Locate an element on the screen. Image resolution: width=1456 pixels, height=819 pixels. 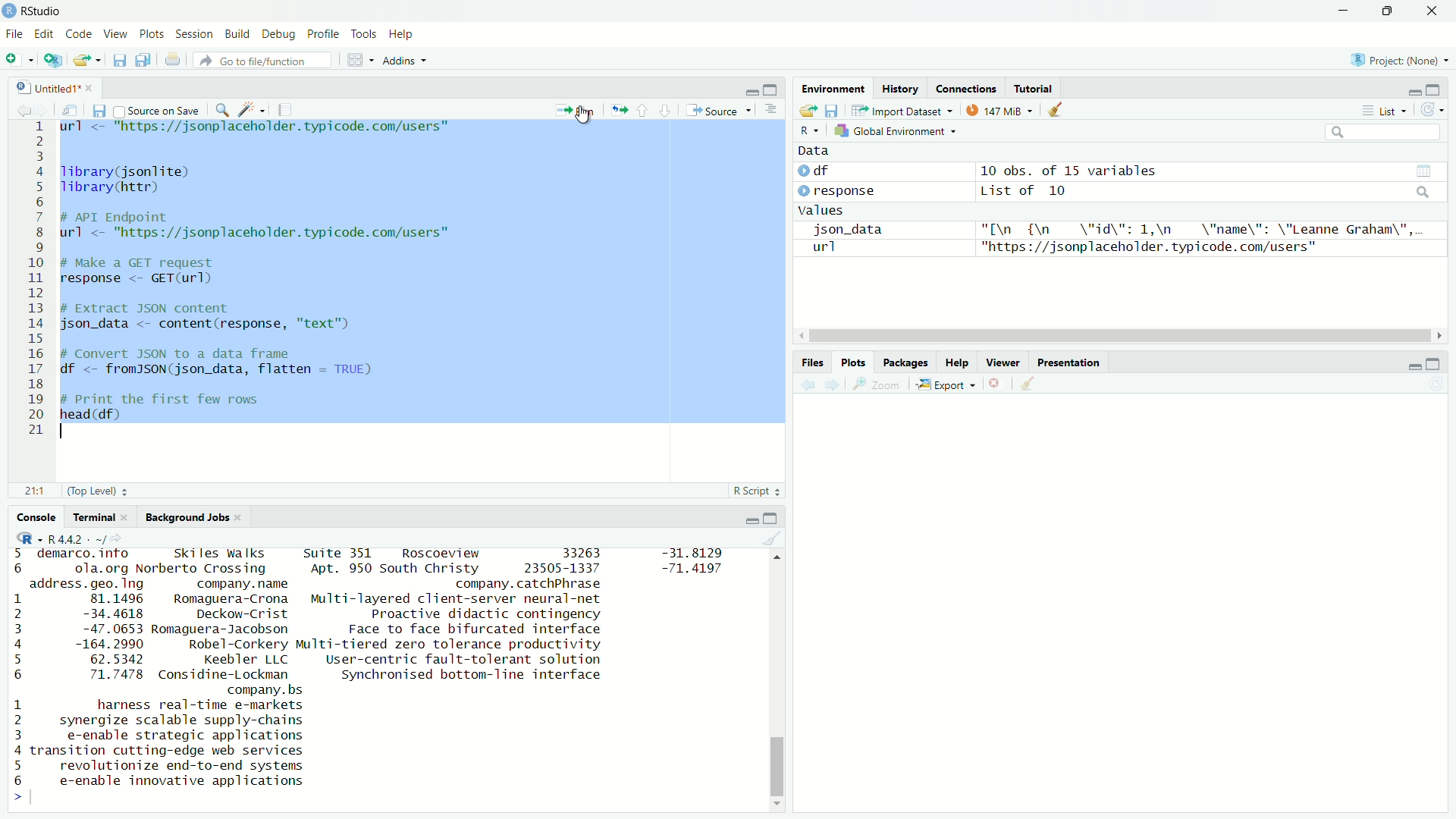
Presentation is located at coordinates (1071, 363).